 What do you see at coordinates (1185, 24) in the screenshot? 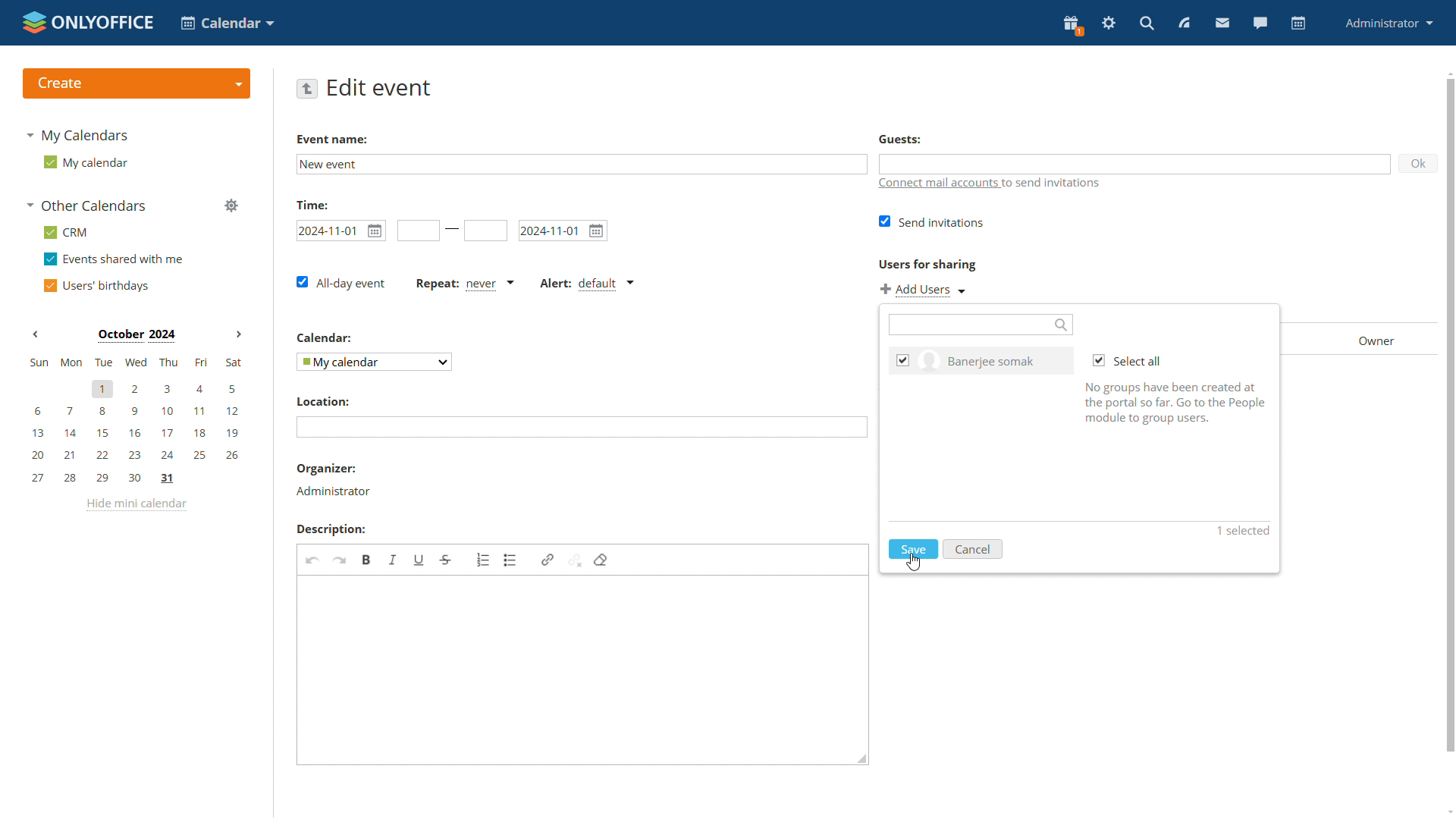
I see `feed` at bounding box center [1185, 24].